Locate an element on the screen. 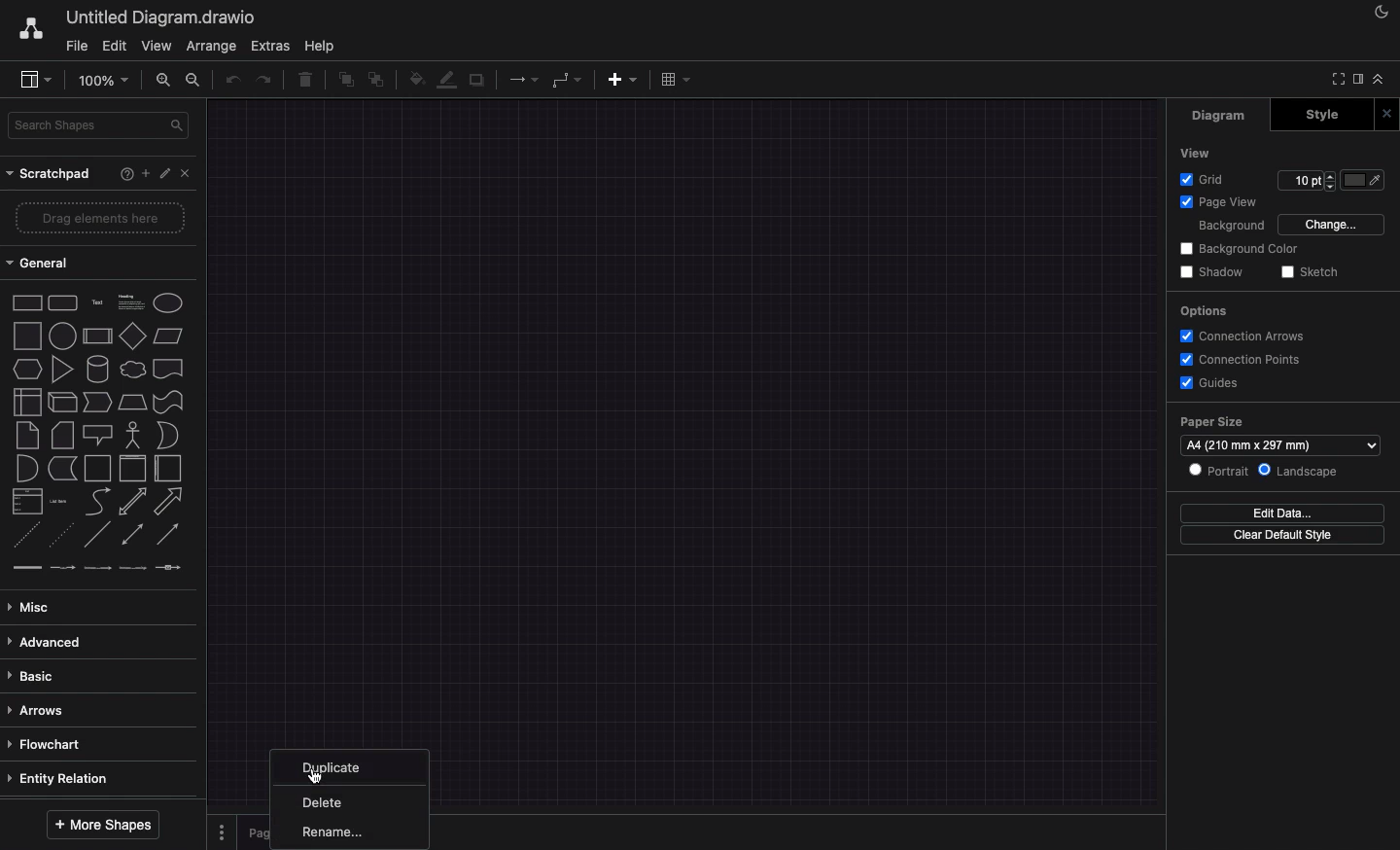  flowchart is located at coordinates (48, 744).